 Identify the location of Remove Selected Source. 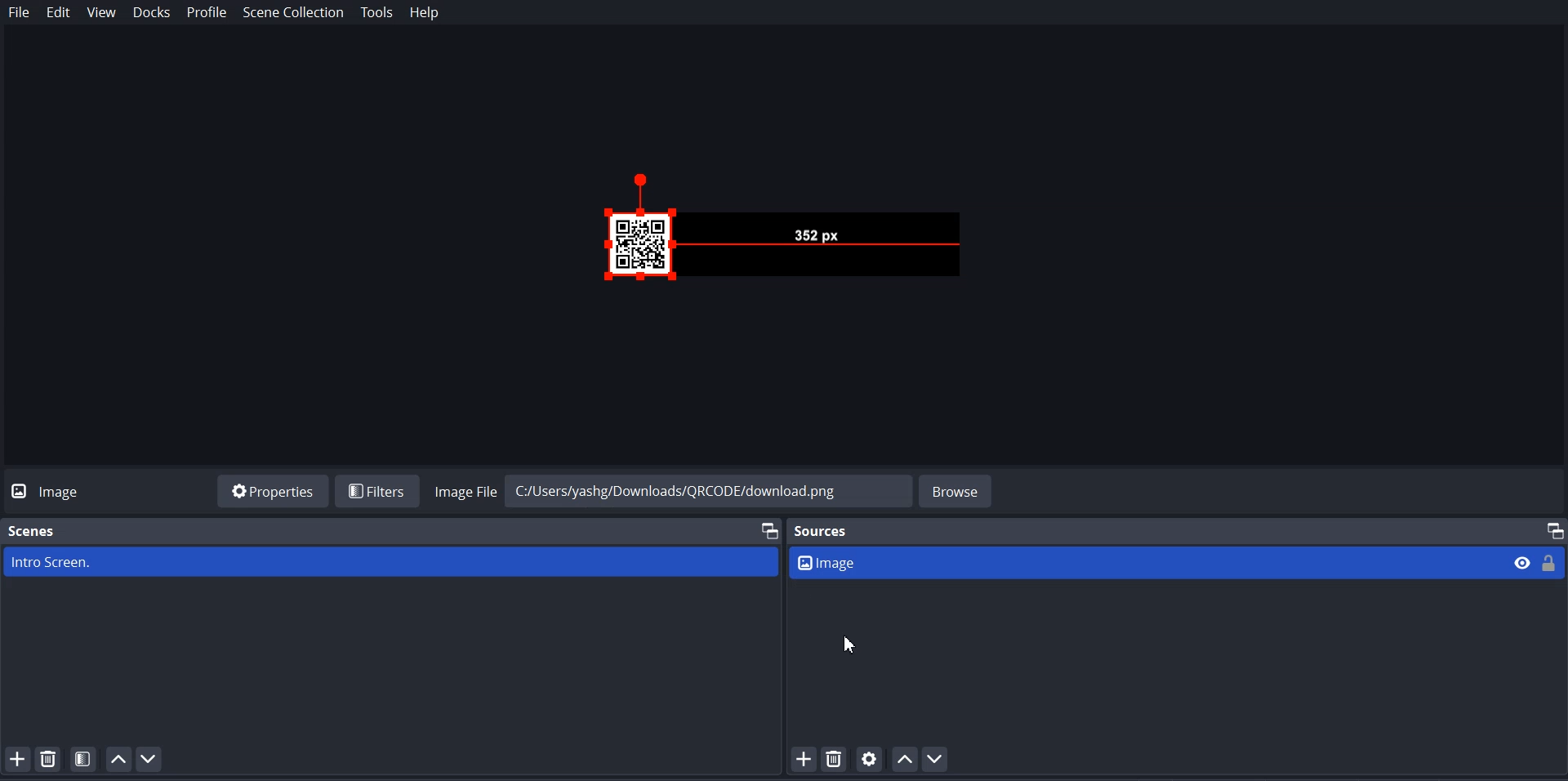
(835, 759).